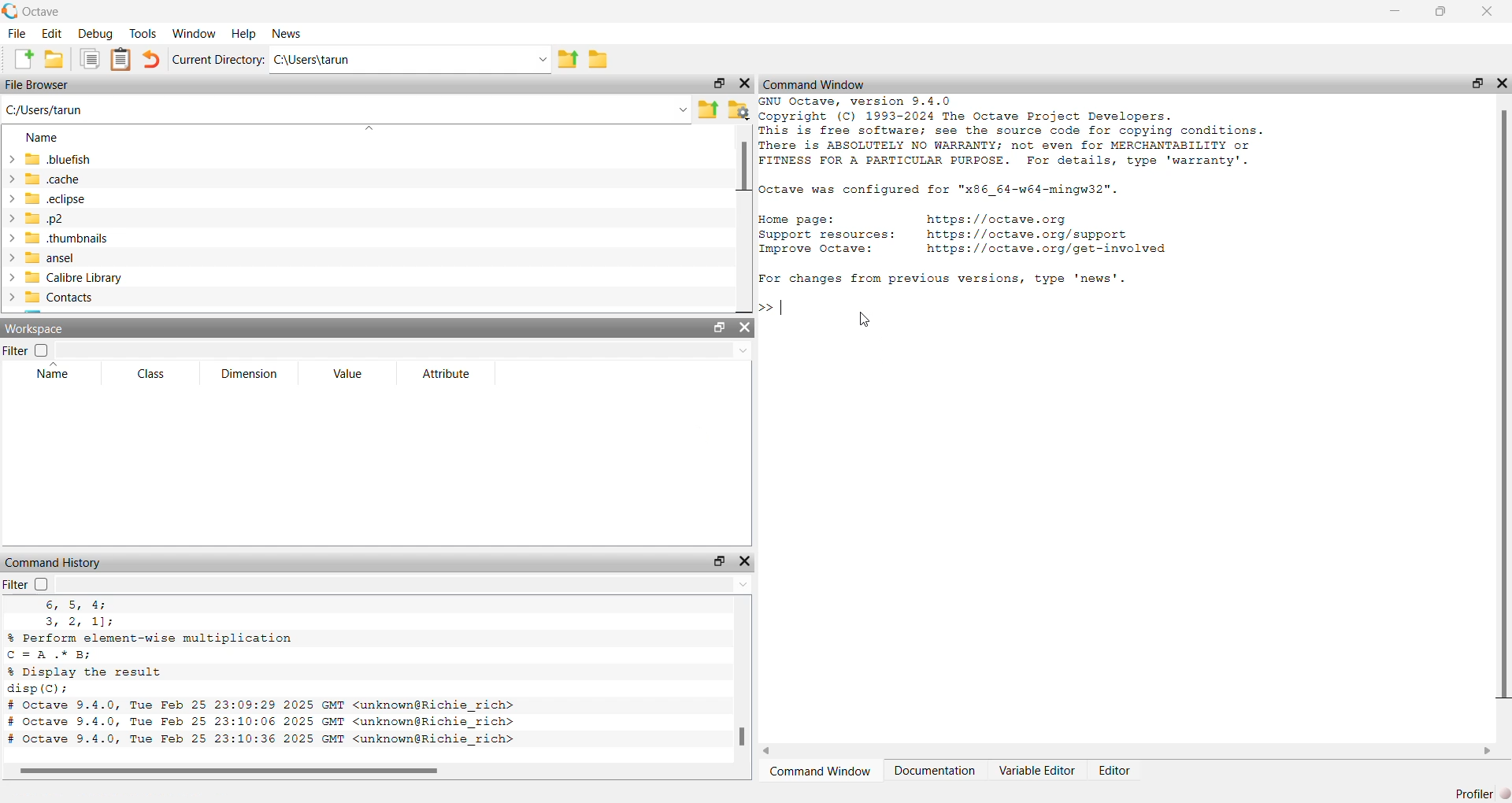 The width and height of the screenshot is (1512, 803). Describe the element at coordinates (348, 372) in the screenshot. I see `Value` at that location.